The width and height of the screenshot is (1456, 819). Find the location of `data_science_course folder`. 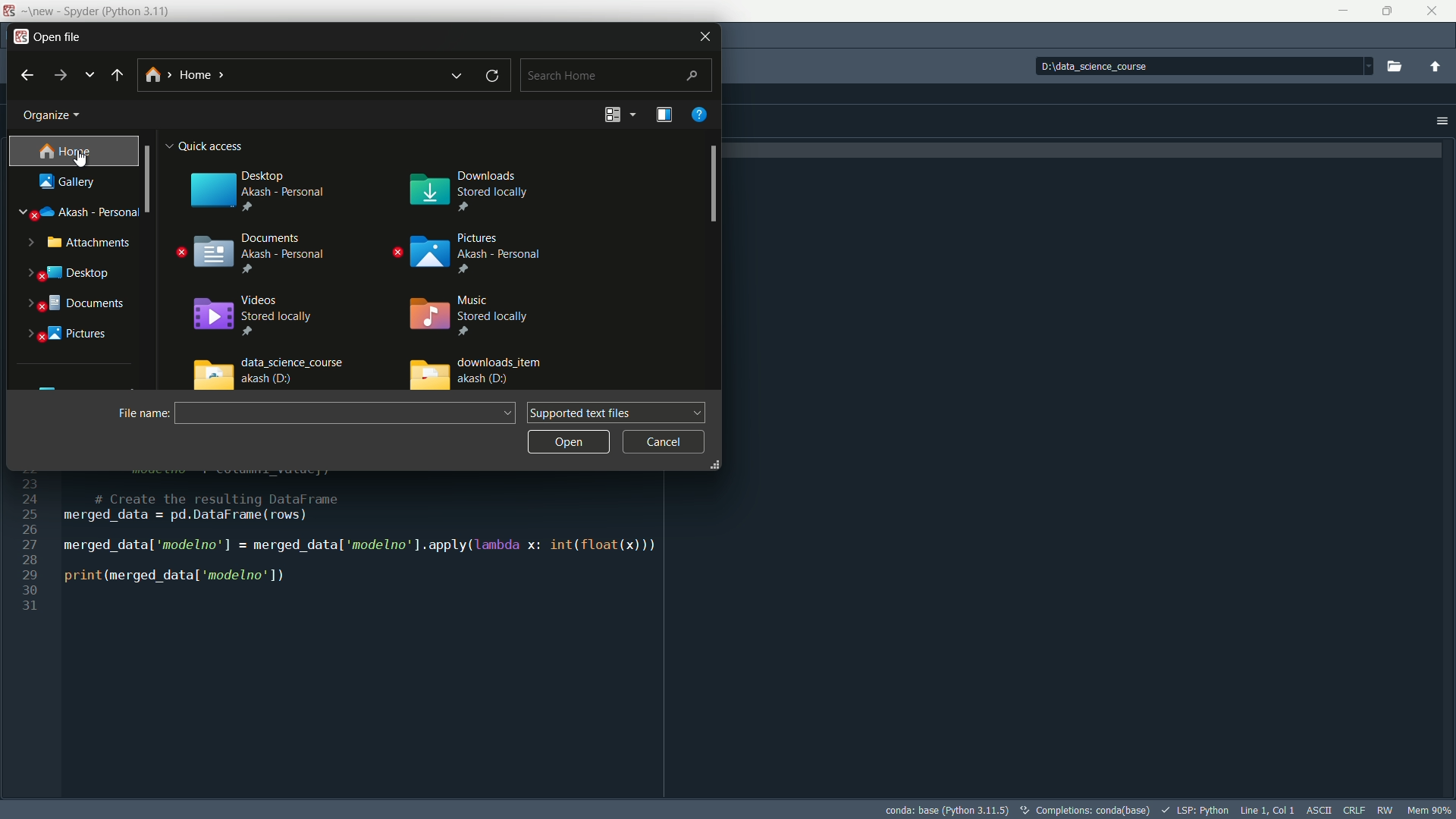

data_science_course folder is located at coordinates (267, 373).